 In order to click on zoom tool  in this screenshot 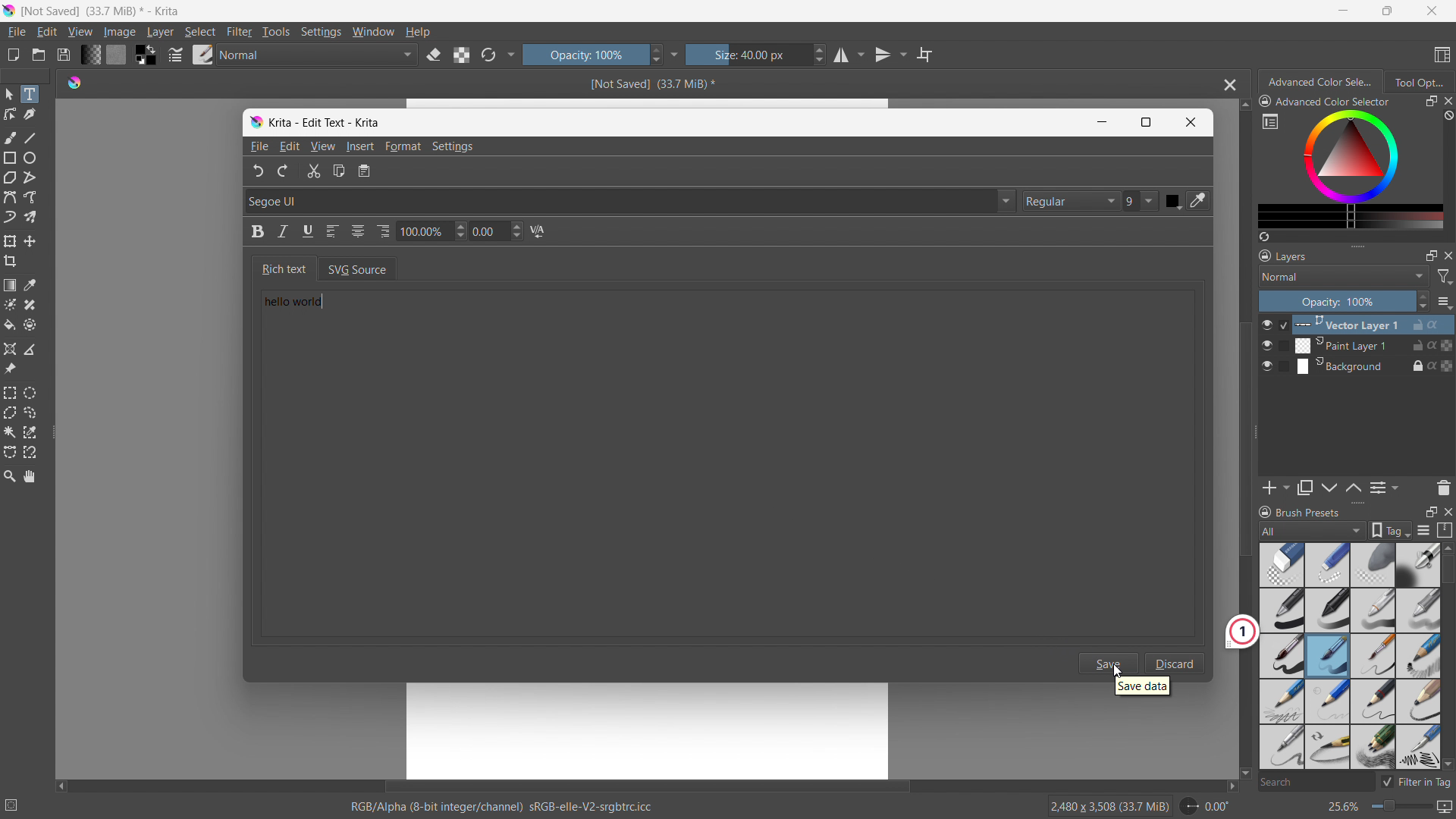, I will do `click(9, 475)`.